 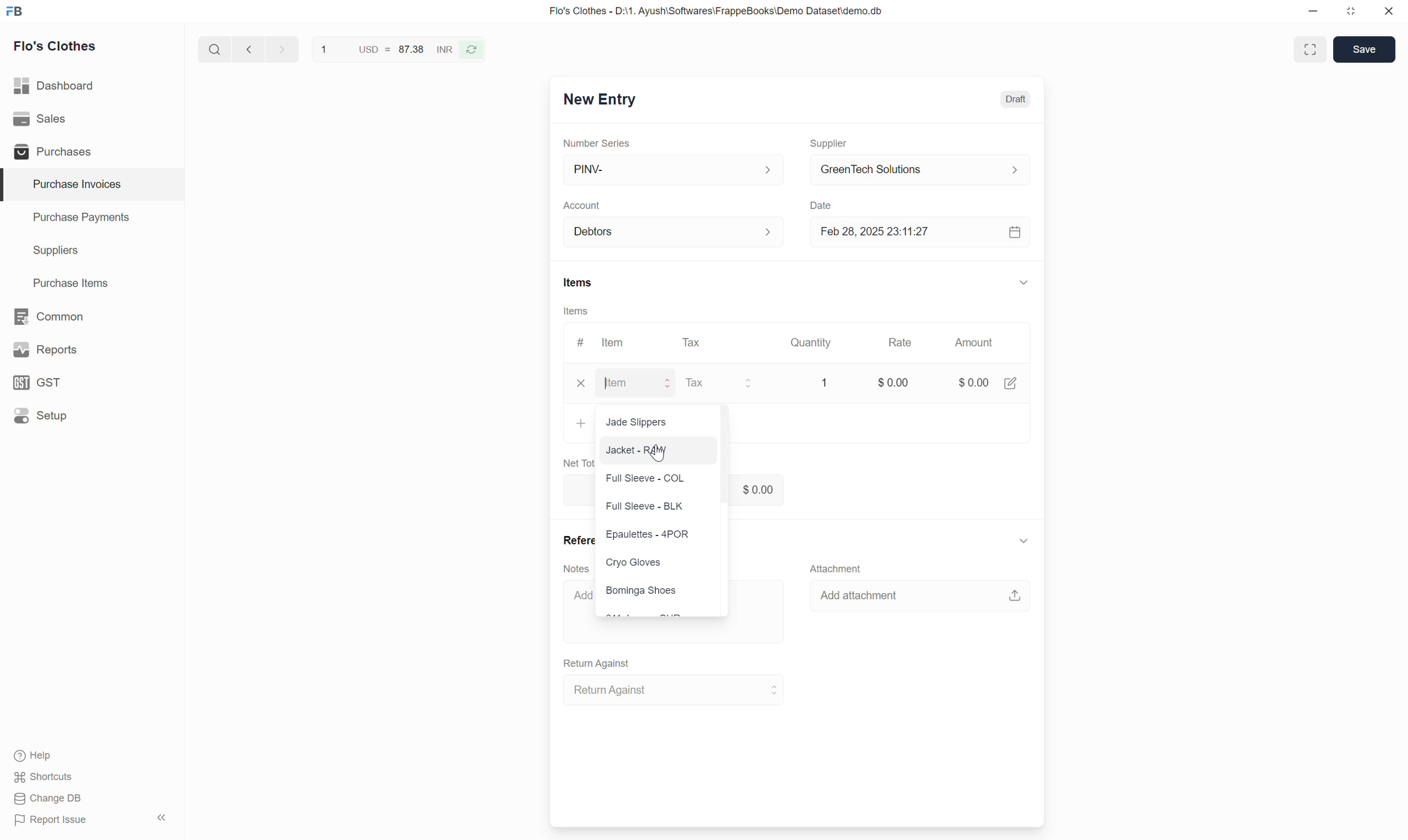 I want to click on Close, so click(x=581, y=383).